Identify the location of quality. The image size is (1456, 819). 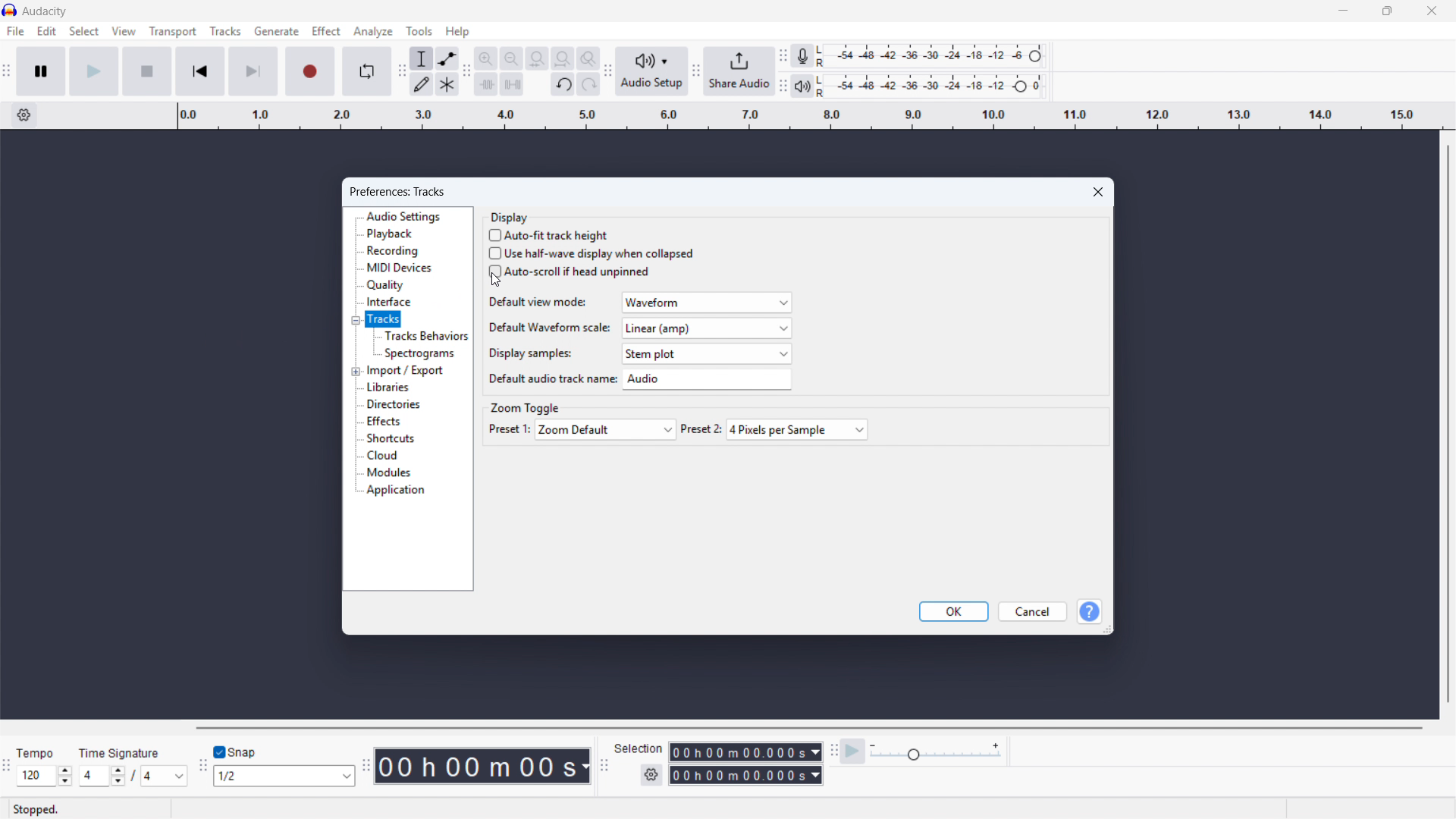
(386, 286).